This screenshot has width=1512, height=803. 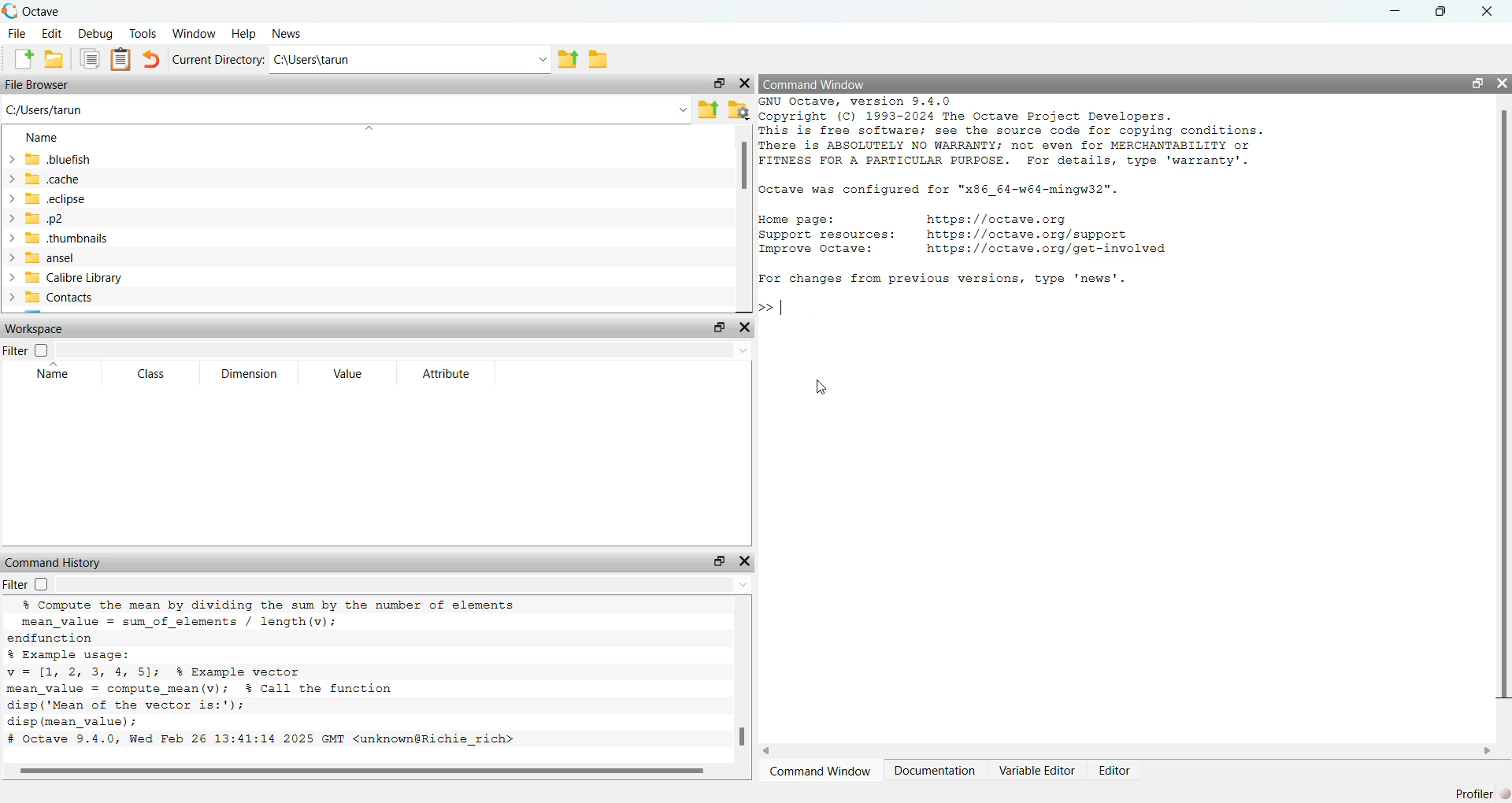 I want to click on Current Directory:, so click(x=219, y=60).